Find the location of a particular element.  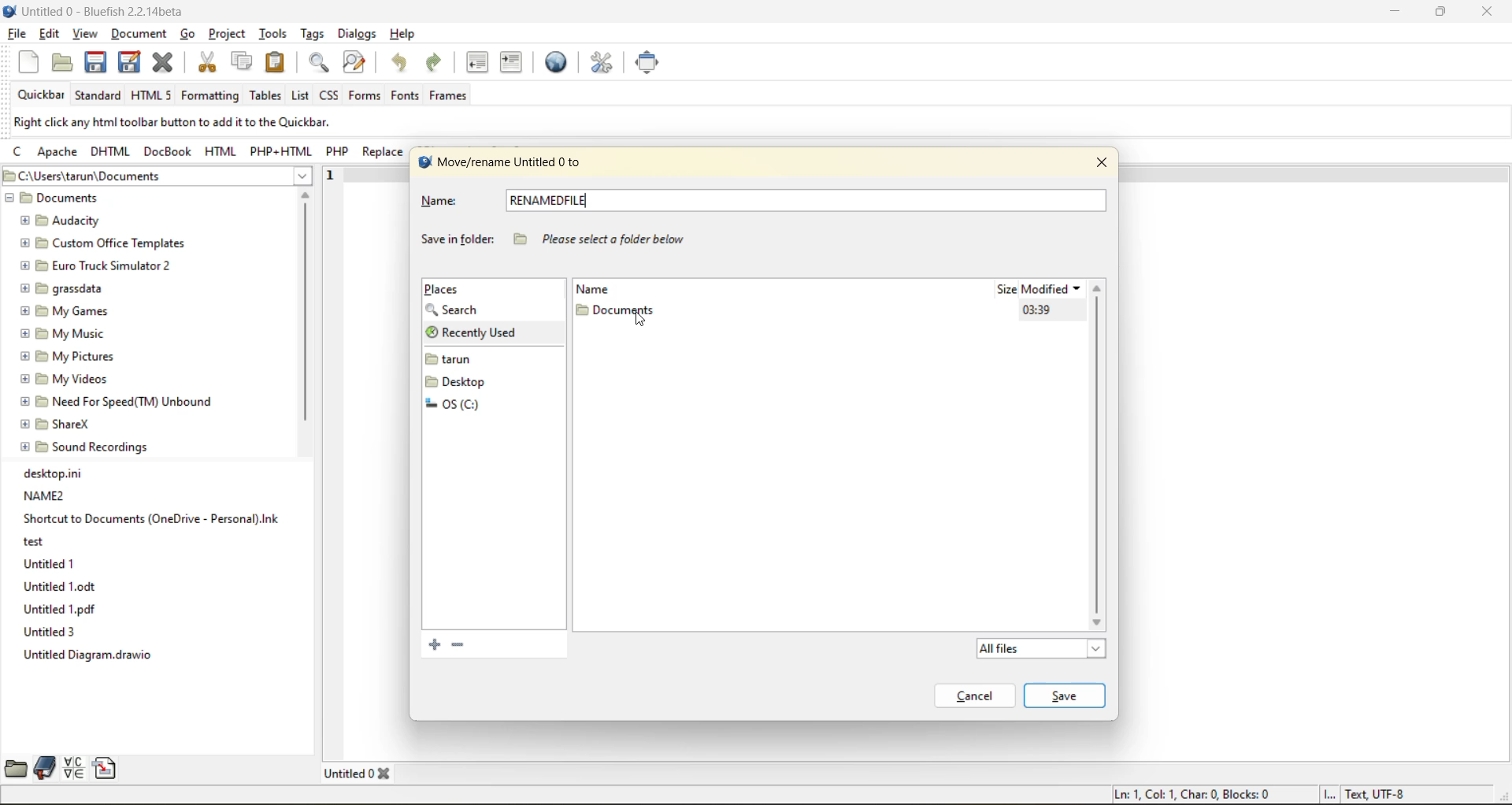

dhtml is located at coordinates (109, 153).